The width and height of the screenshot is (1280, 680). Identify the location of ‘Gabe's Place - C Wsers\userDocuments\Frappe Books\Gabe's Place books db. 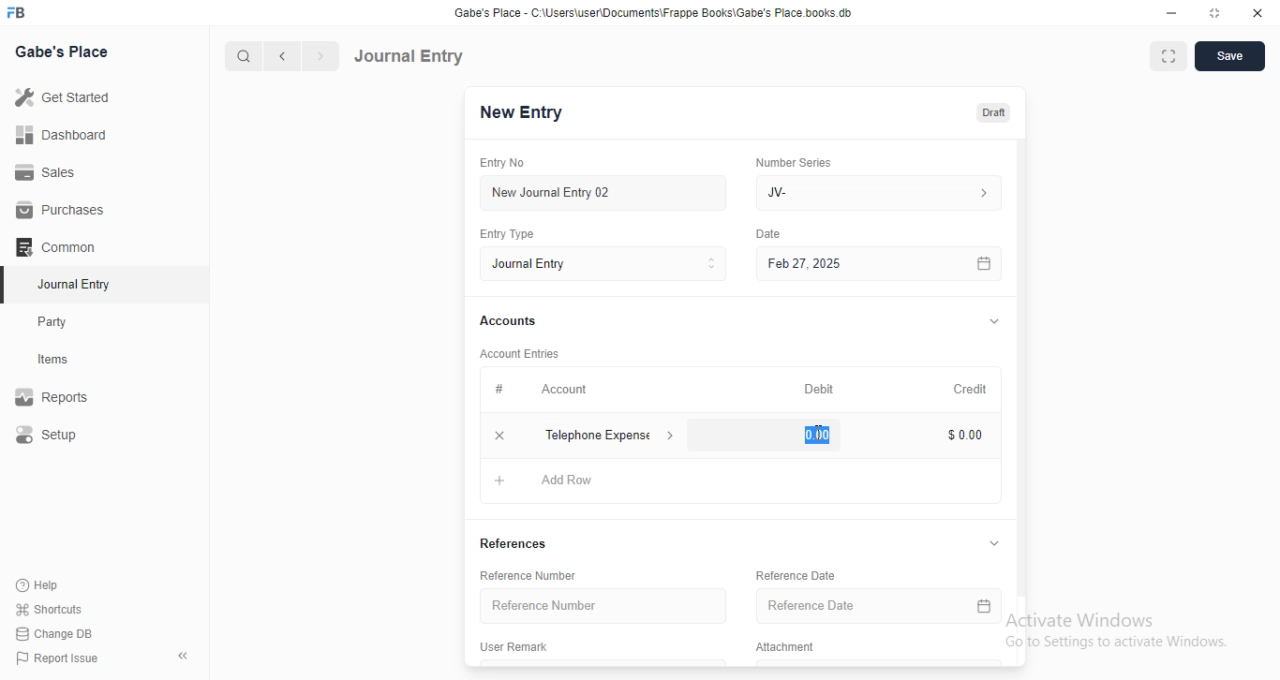
(659, 11).